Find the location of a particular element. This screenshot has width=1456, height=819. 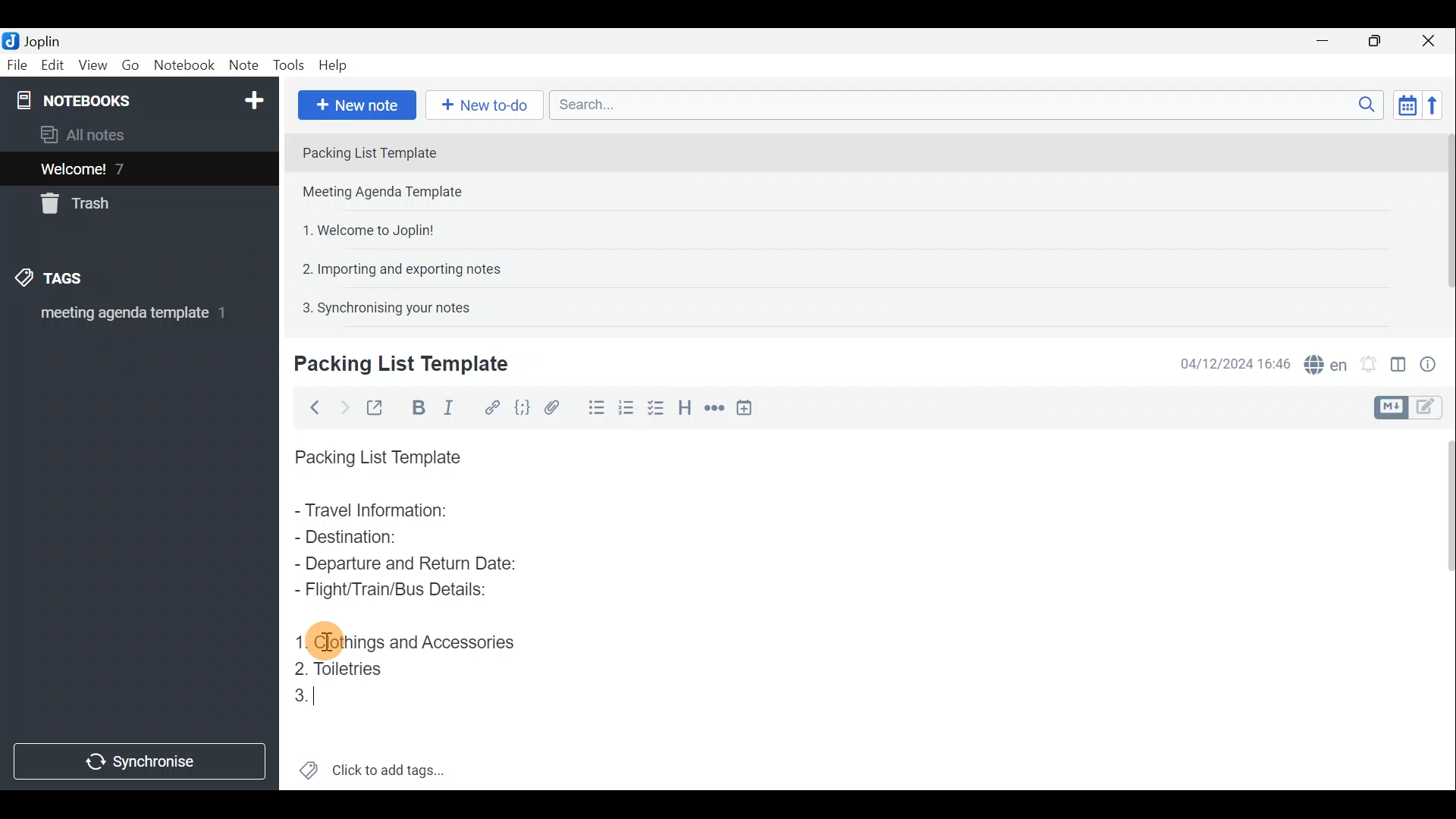

Back is located at coordinates (312, 407).